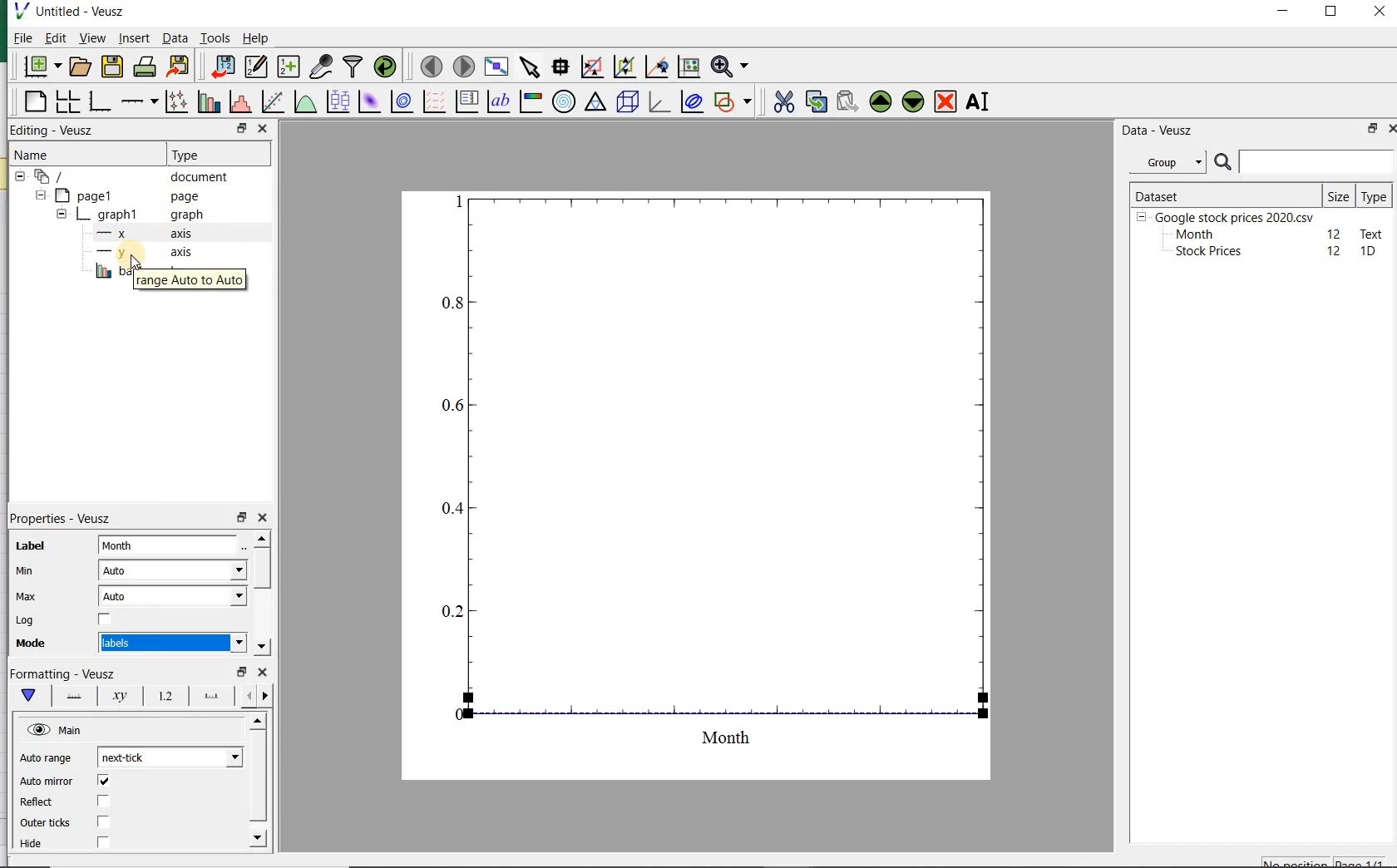  I want to click on x axis, so click(137, 234).